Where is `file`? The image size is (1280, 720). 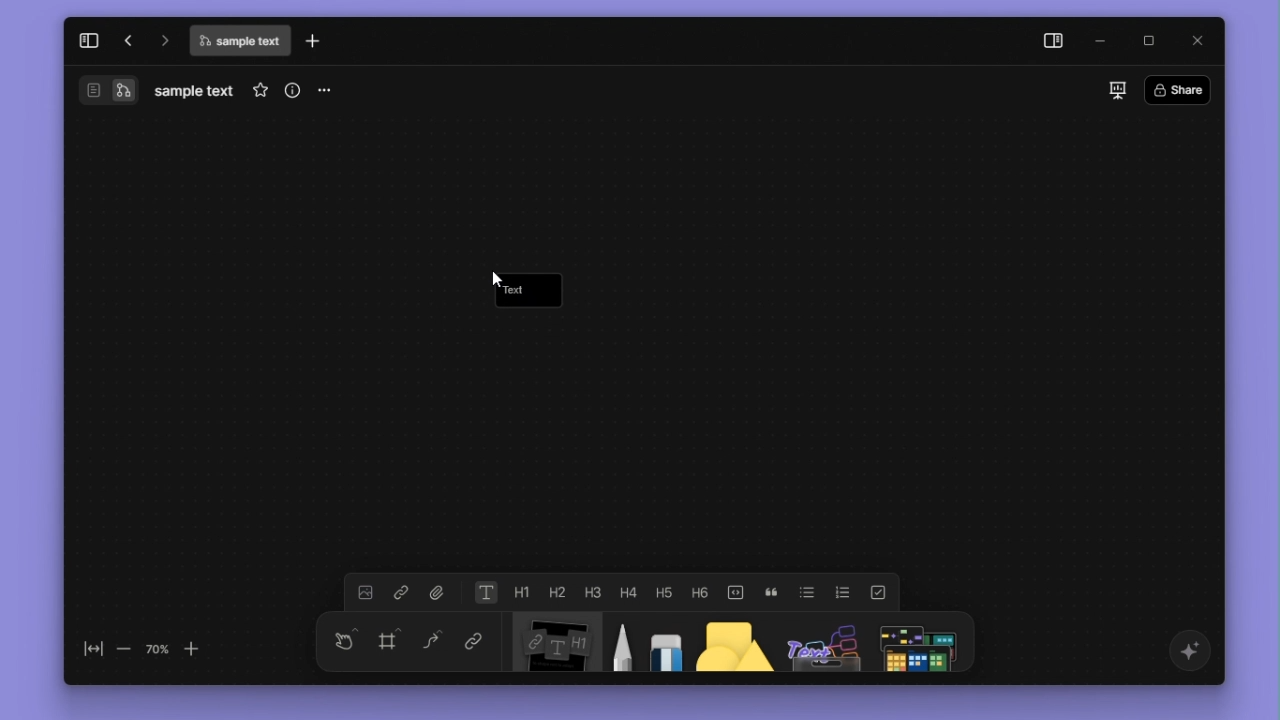 file is located at coordinates (437, 592).